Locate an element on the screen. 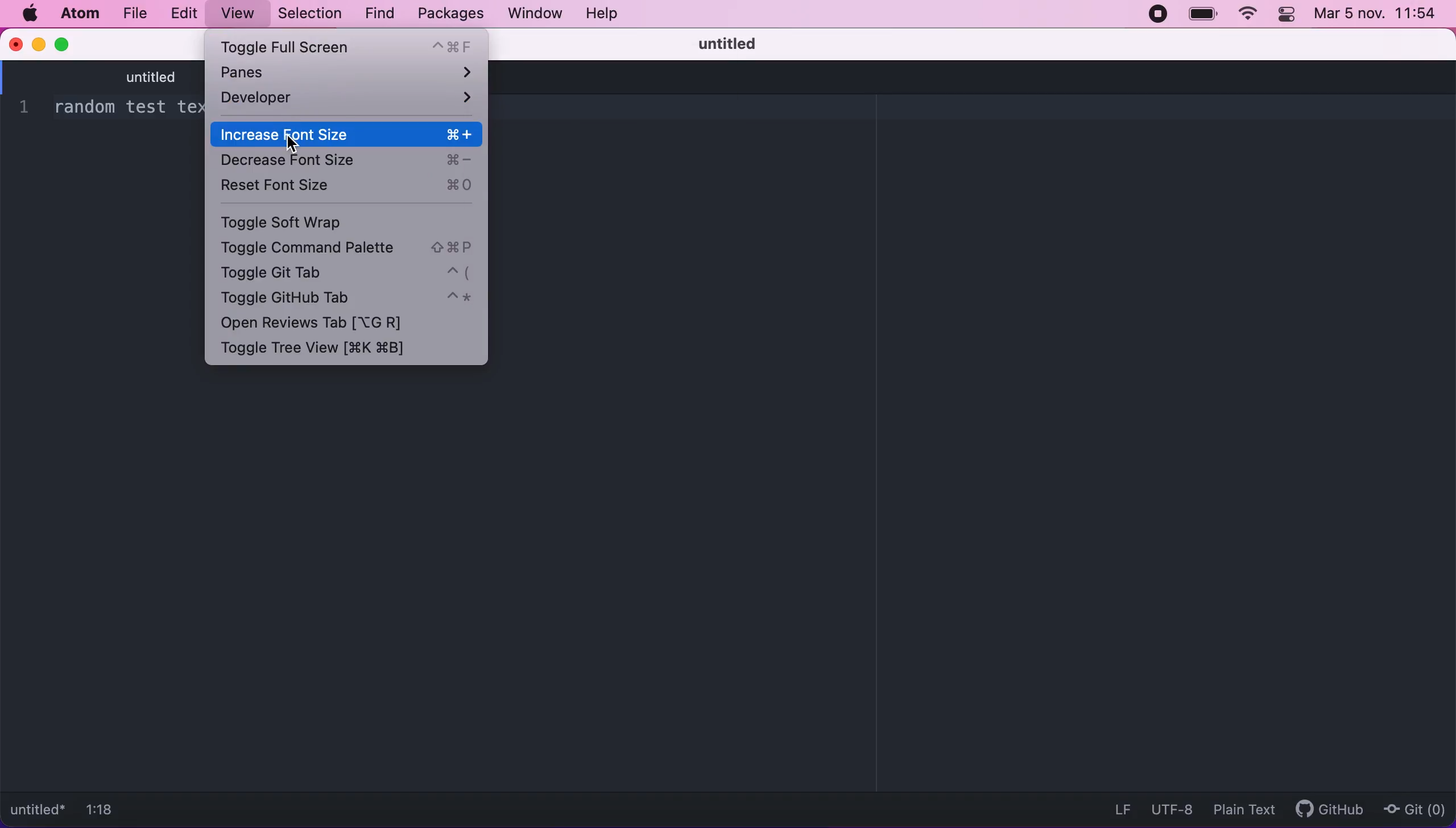 The height and width of the screenshot is (828, 1456). toggle git tab is located at coordinates (349, 272).